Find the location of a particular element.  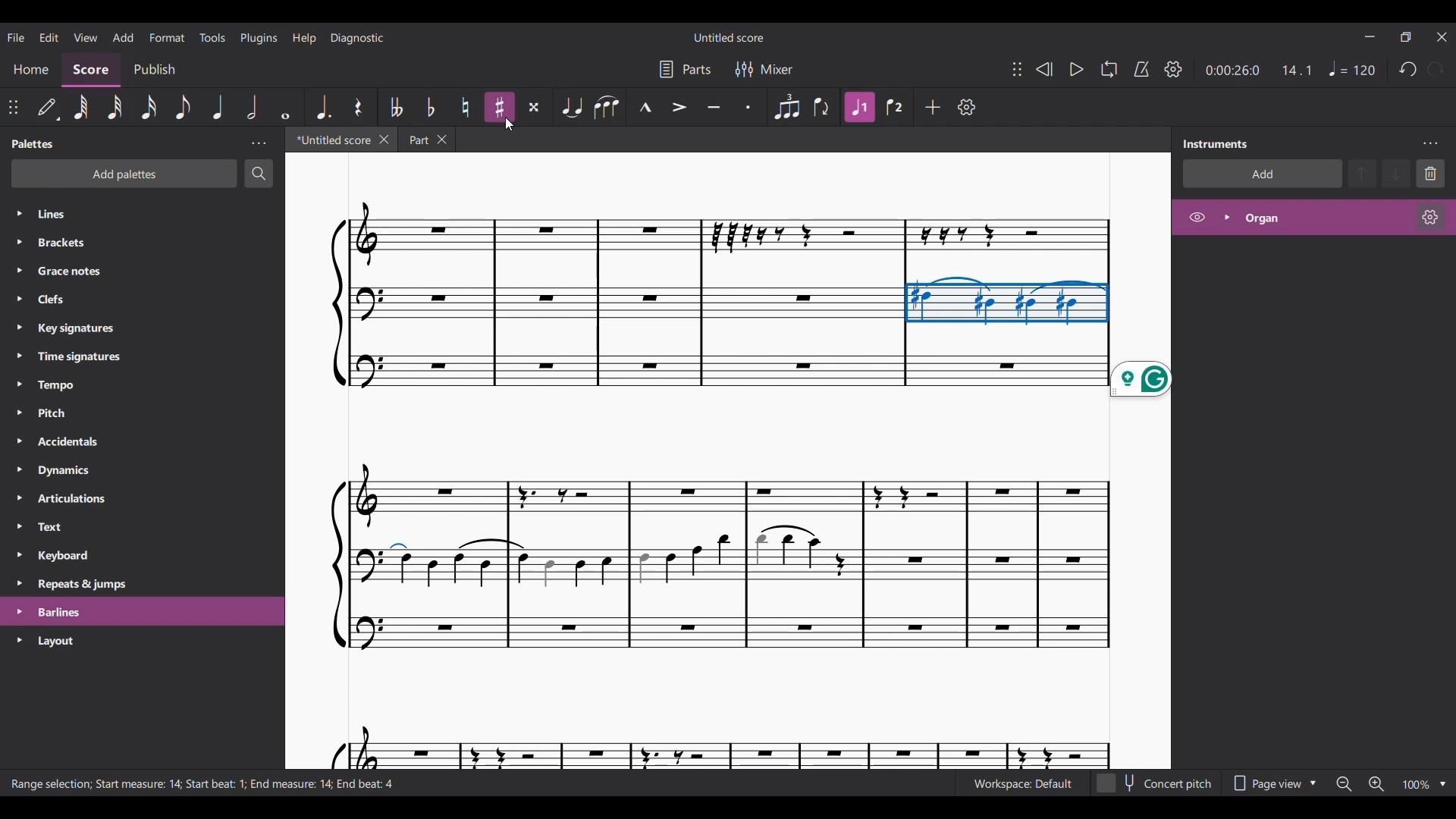

Expand Organ is located at coordinates (1225, 217).